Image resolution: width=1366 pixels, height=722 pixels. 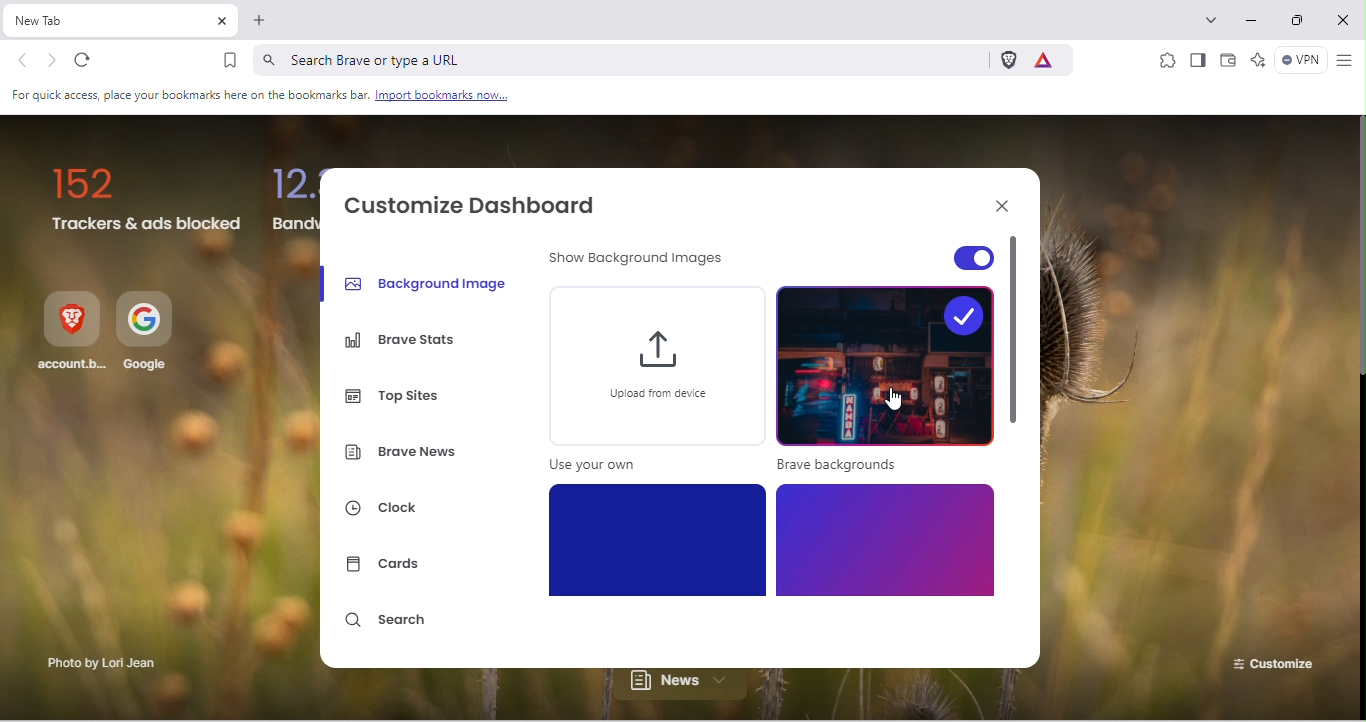 What do you see at coordinates (393, 511) in the screenshot?
I see `Clock` at bounding box center [393, 511].